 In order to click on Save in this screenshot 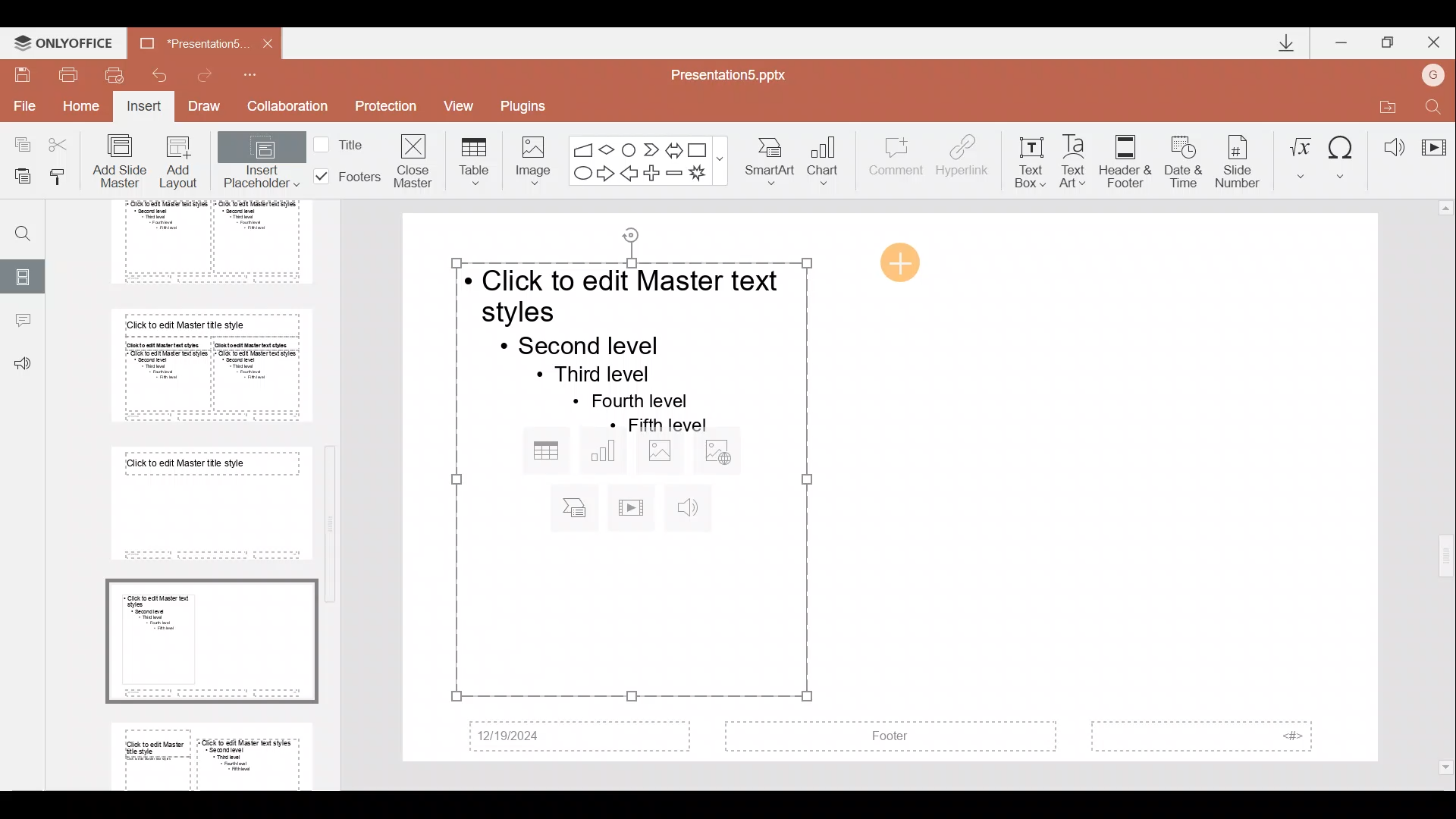, I will do `click(23, 73)`.